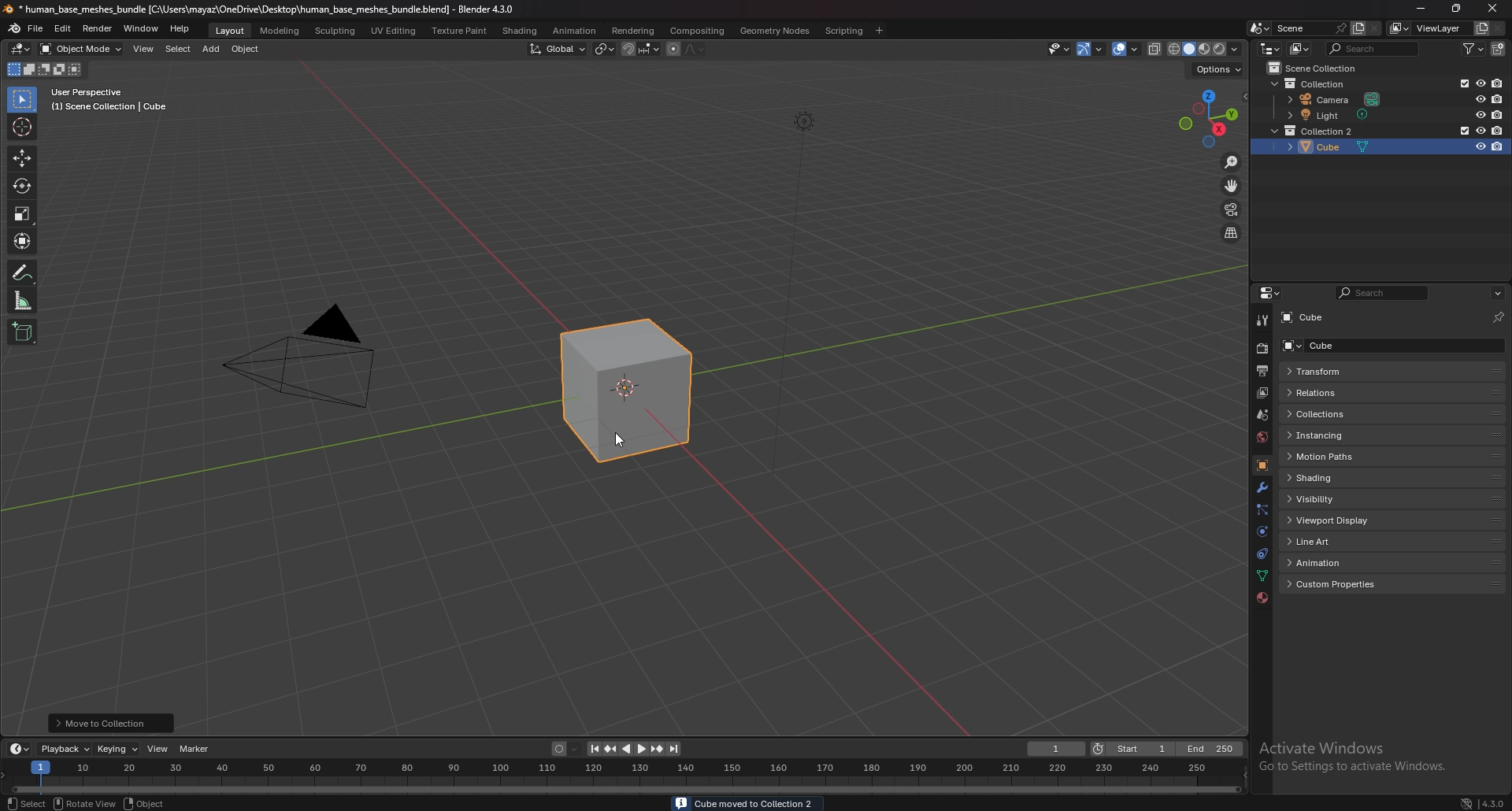  I want to click on add scene, so click(1358, 28).